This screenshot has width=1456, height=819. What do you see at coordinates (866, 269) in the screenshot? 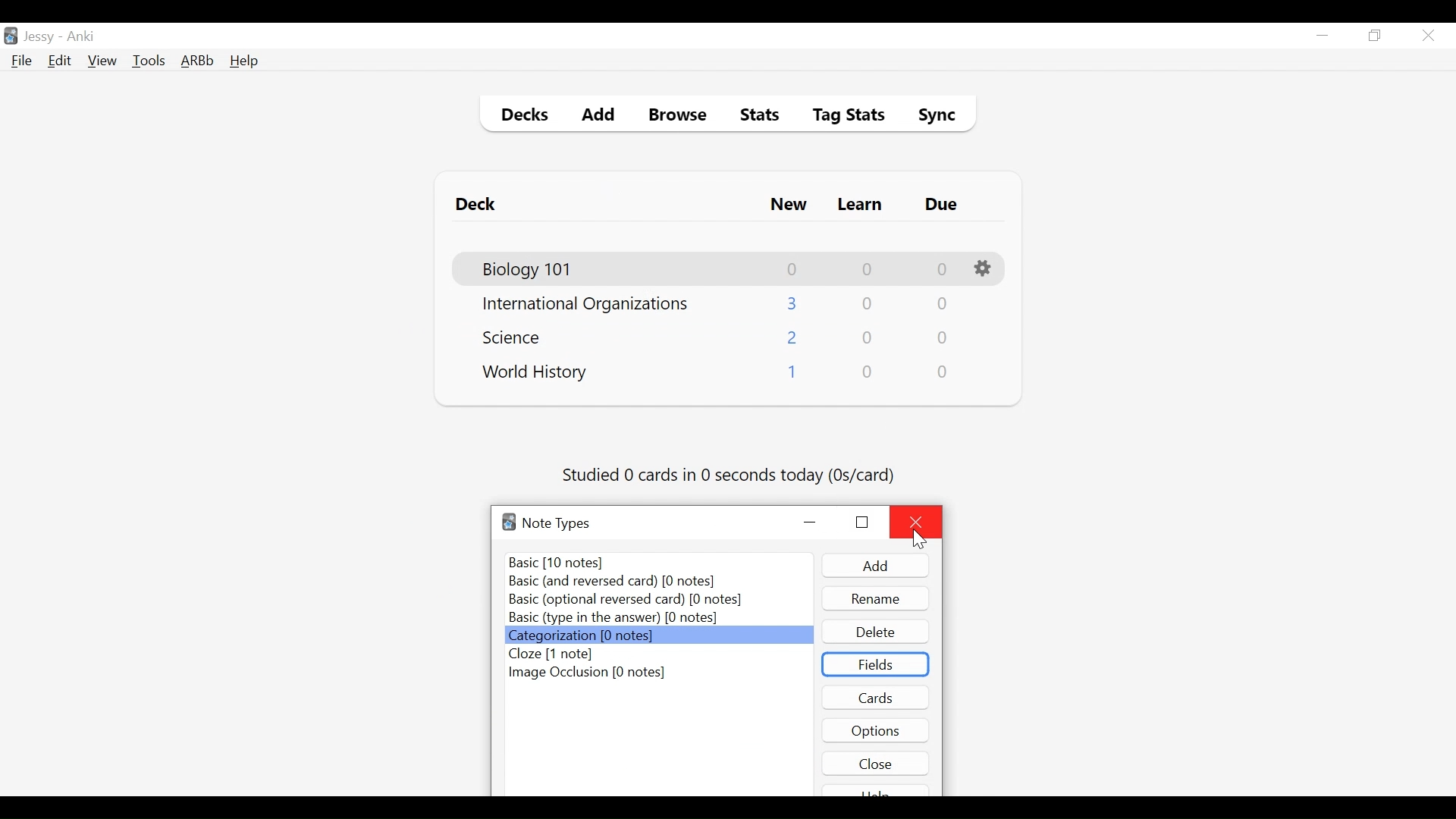
I see `Learn Card Count` at bounding box center [866, 269].